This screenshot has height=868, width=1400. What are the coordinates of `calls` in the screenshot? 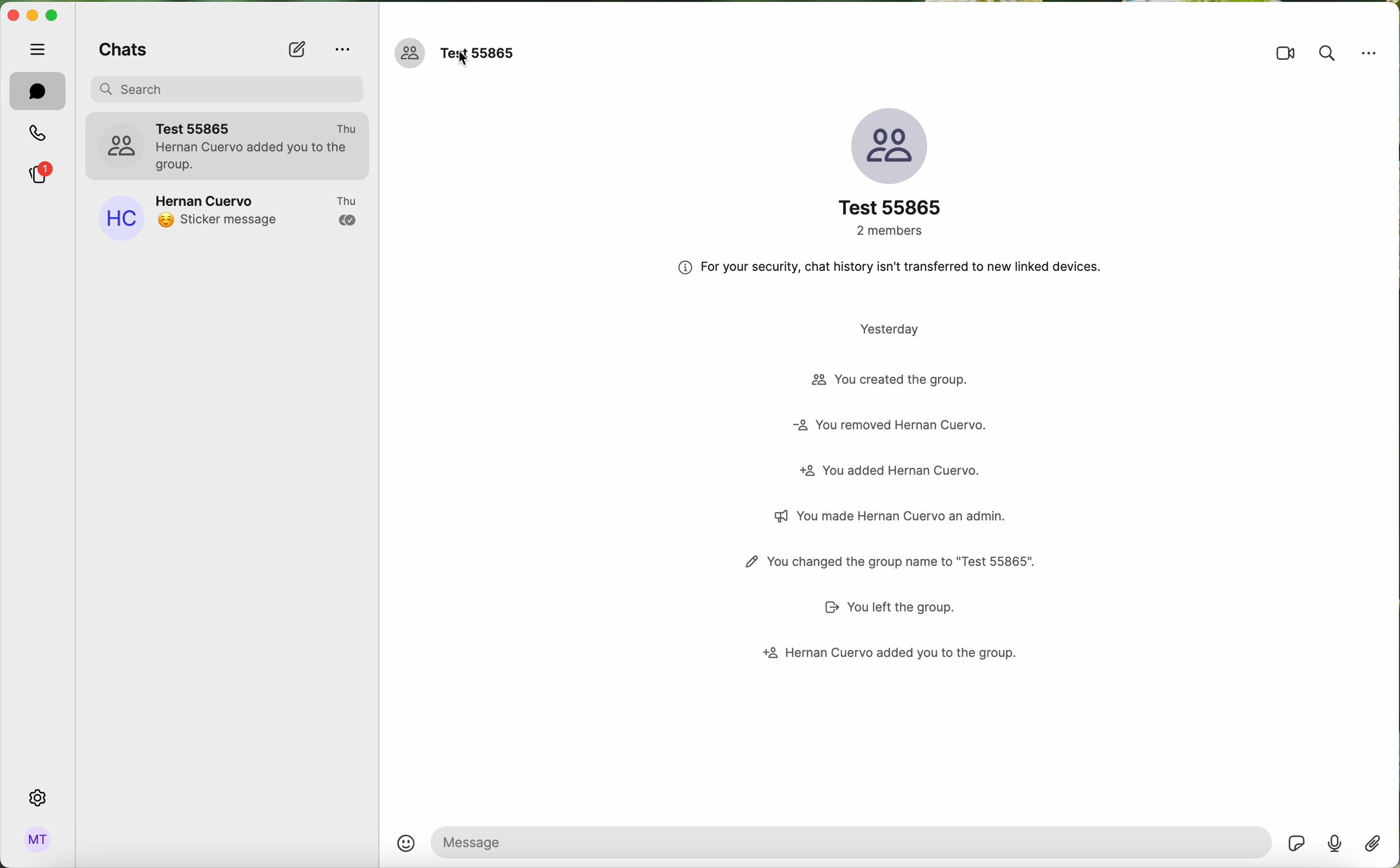 It's located at (39, 133).